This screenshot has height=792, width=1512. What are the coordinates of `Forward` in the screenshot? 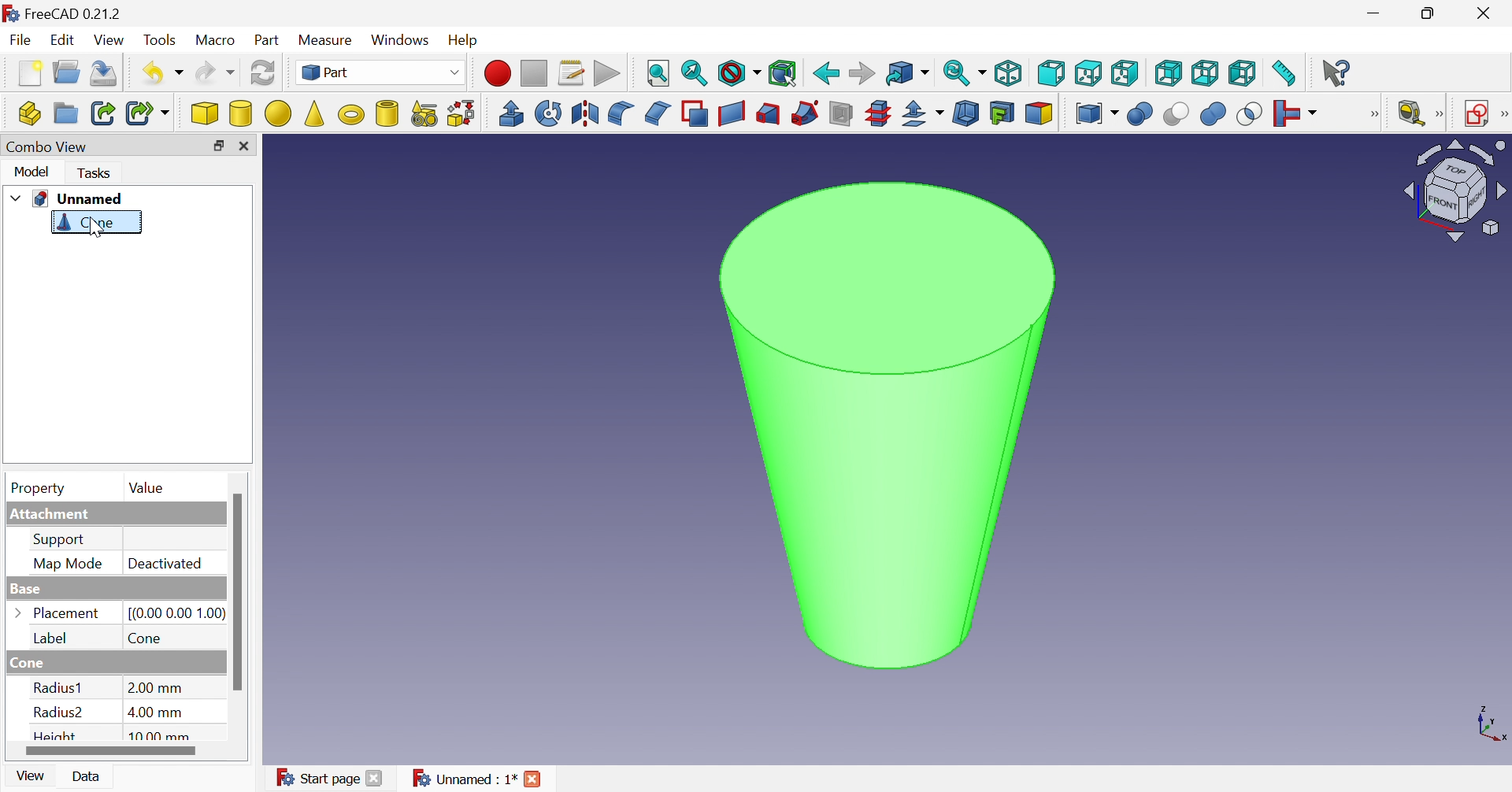 It's located at (863, 71).